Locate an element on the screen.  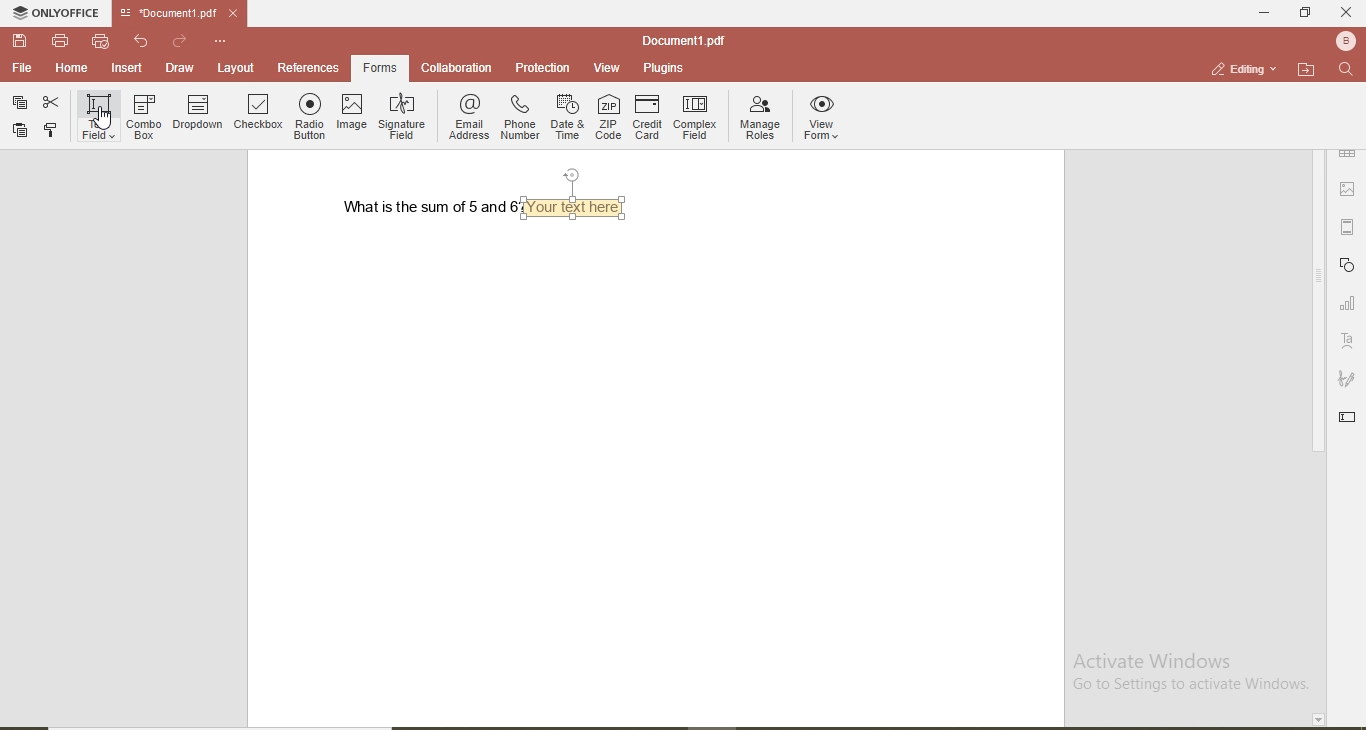
paste is located at coordinates (19, 130).